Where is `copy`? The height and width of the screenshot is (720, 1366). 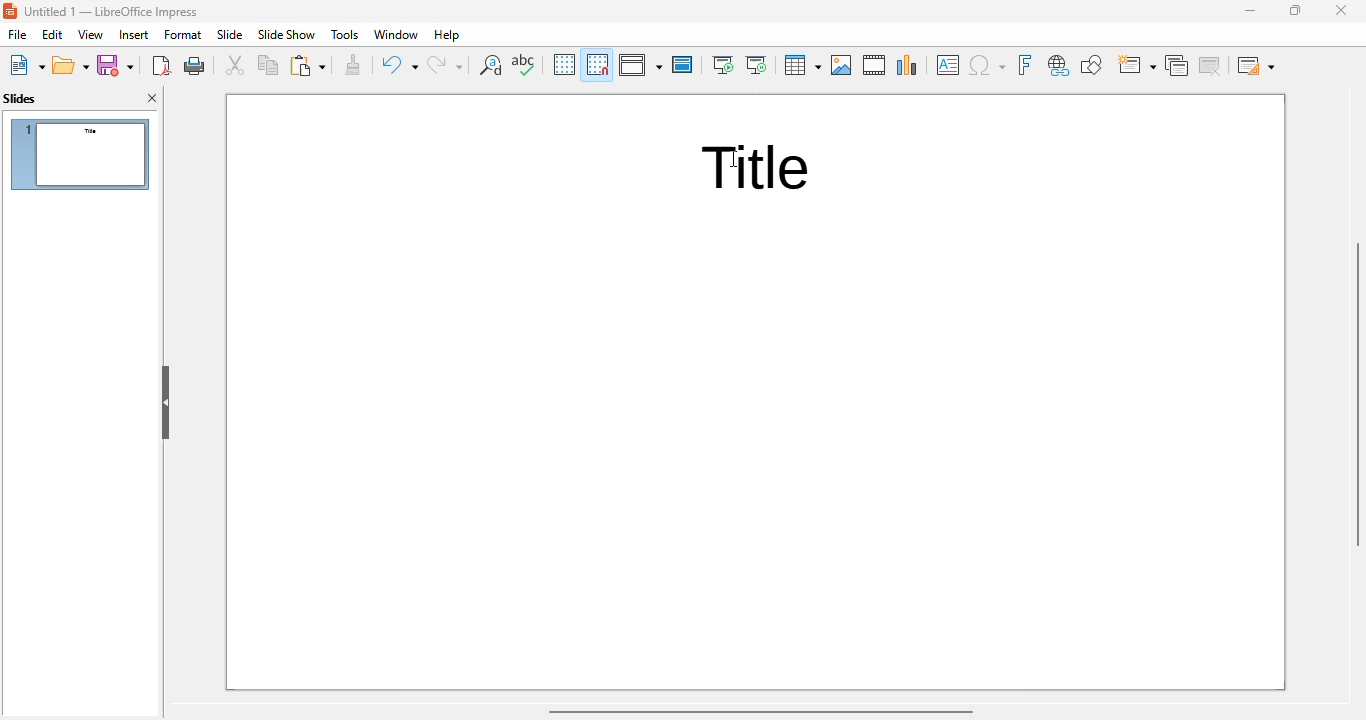 copy is located at coordinates (268, 65).